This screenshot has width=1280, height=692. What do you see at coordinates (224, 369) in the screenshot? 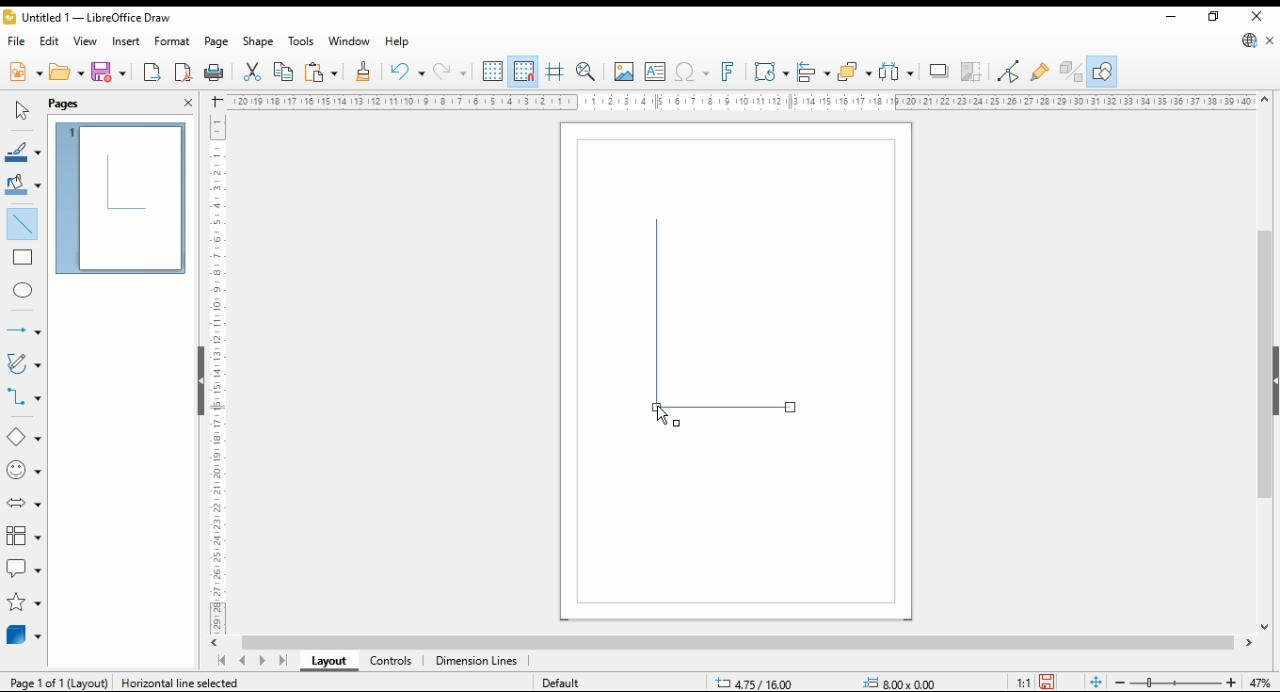
I see `vertical scale` at bounding box center [224, 369].